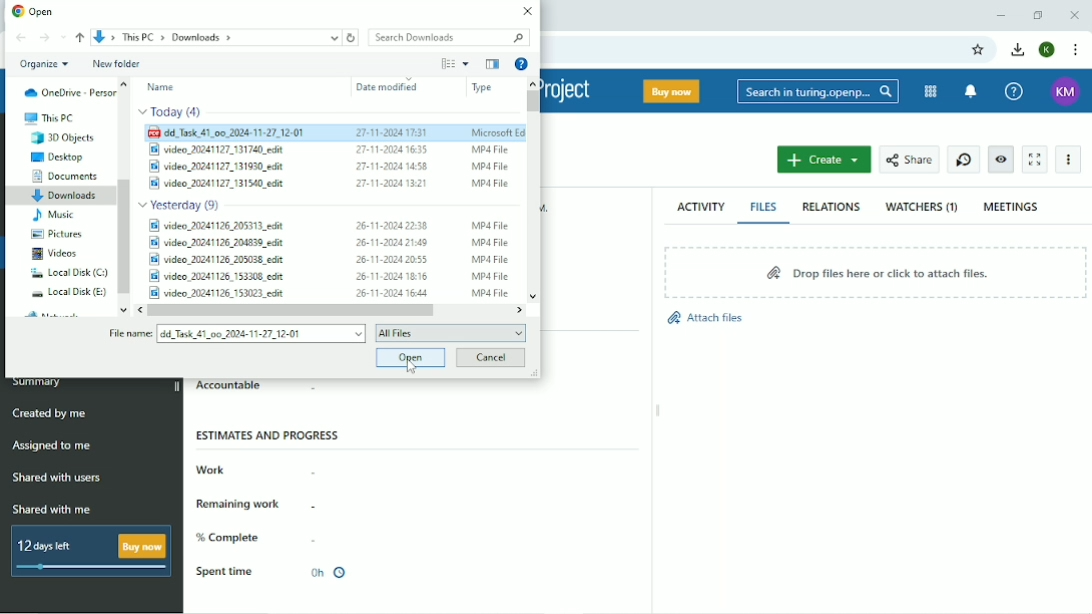 The image size is (1092, 614). What do you see at coordinates (1074, 14) in the screenshot?
I see `Close` at bounding box center [1074, 14].